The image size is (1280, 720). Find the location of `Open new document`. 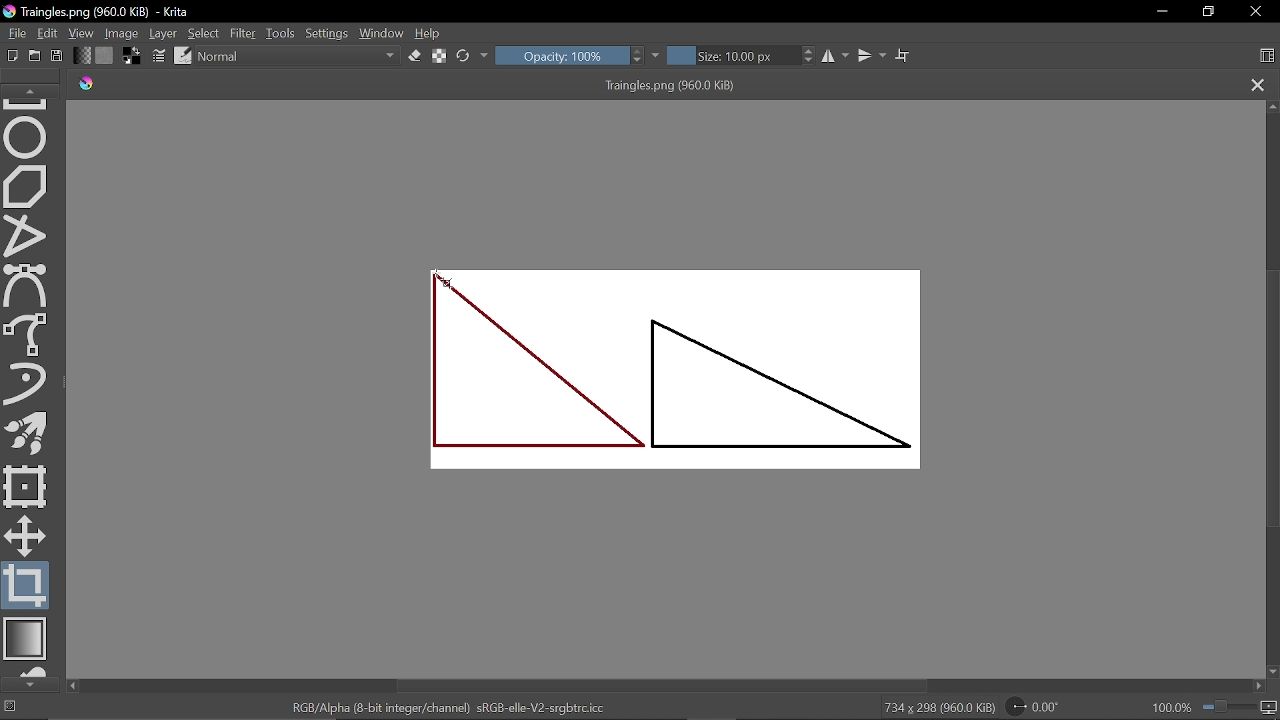

Open new document is located at coordinates (35, 56).